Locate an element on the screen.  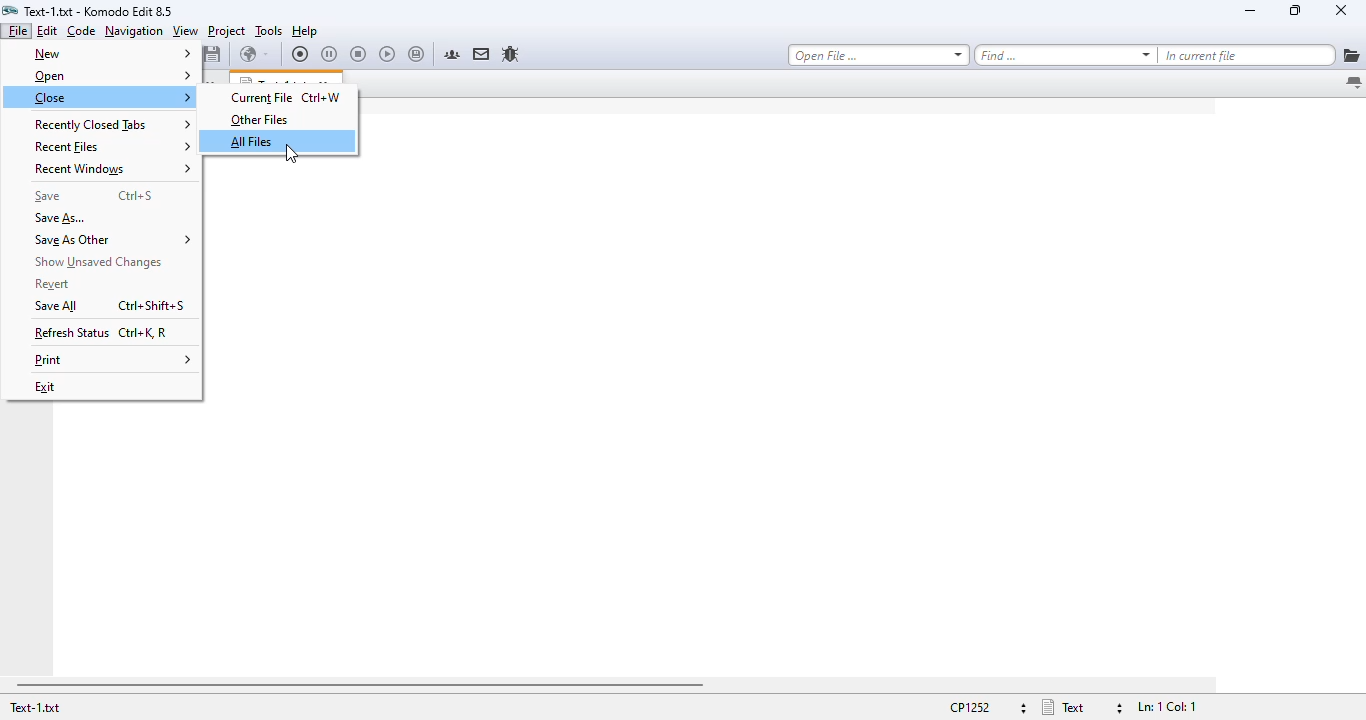
cursor is located at coordinates (290, 154).